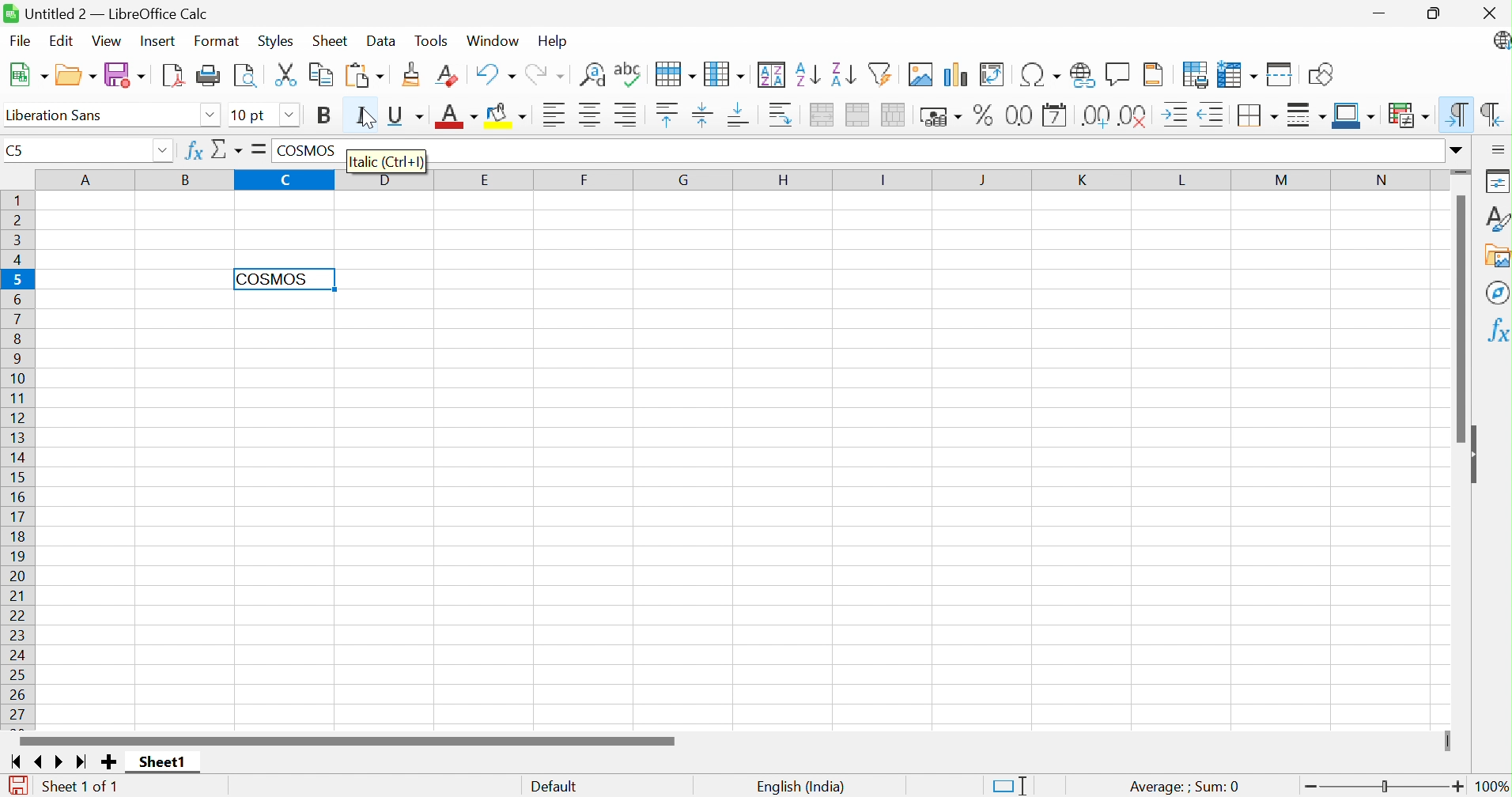 The image size is (1512, 797). Describe the element at coordinates (364, 77) in the screenshot. I see `Paste` at that location.